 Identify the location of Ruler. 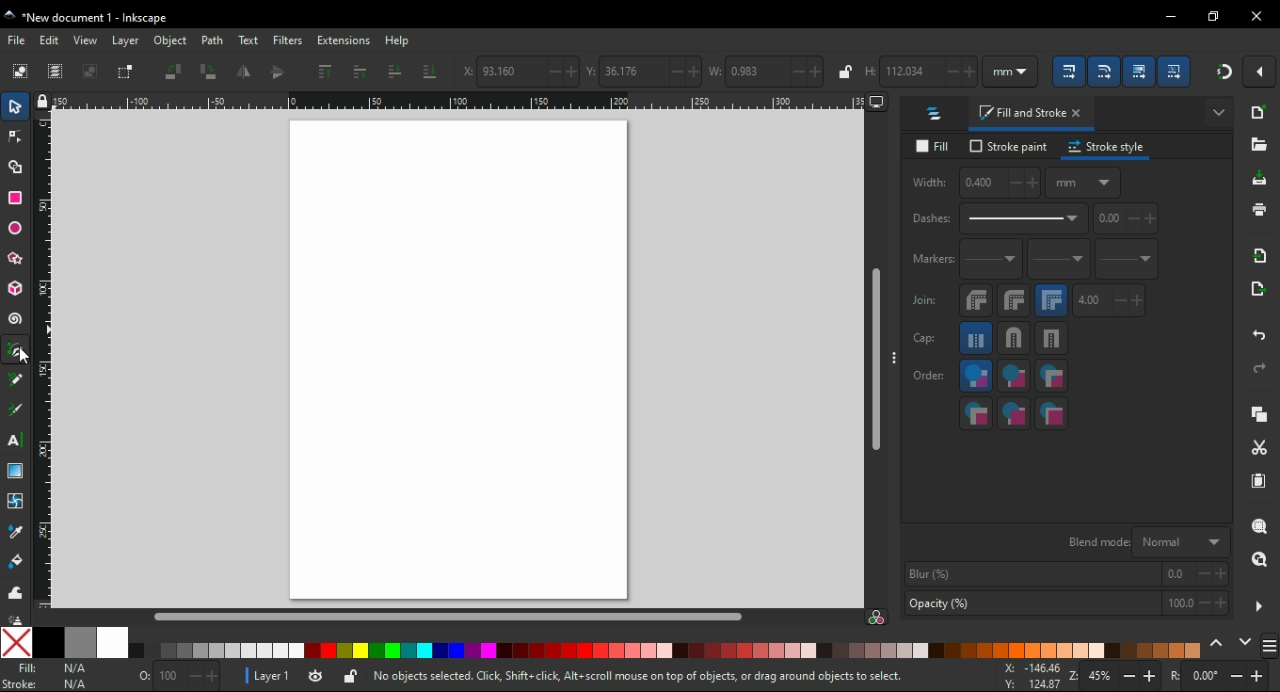
(451, 103).